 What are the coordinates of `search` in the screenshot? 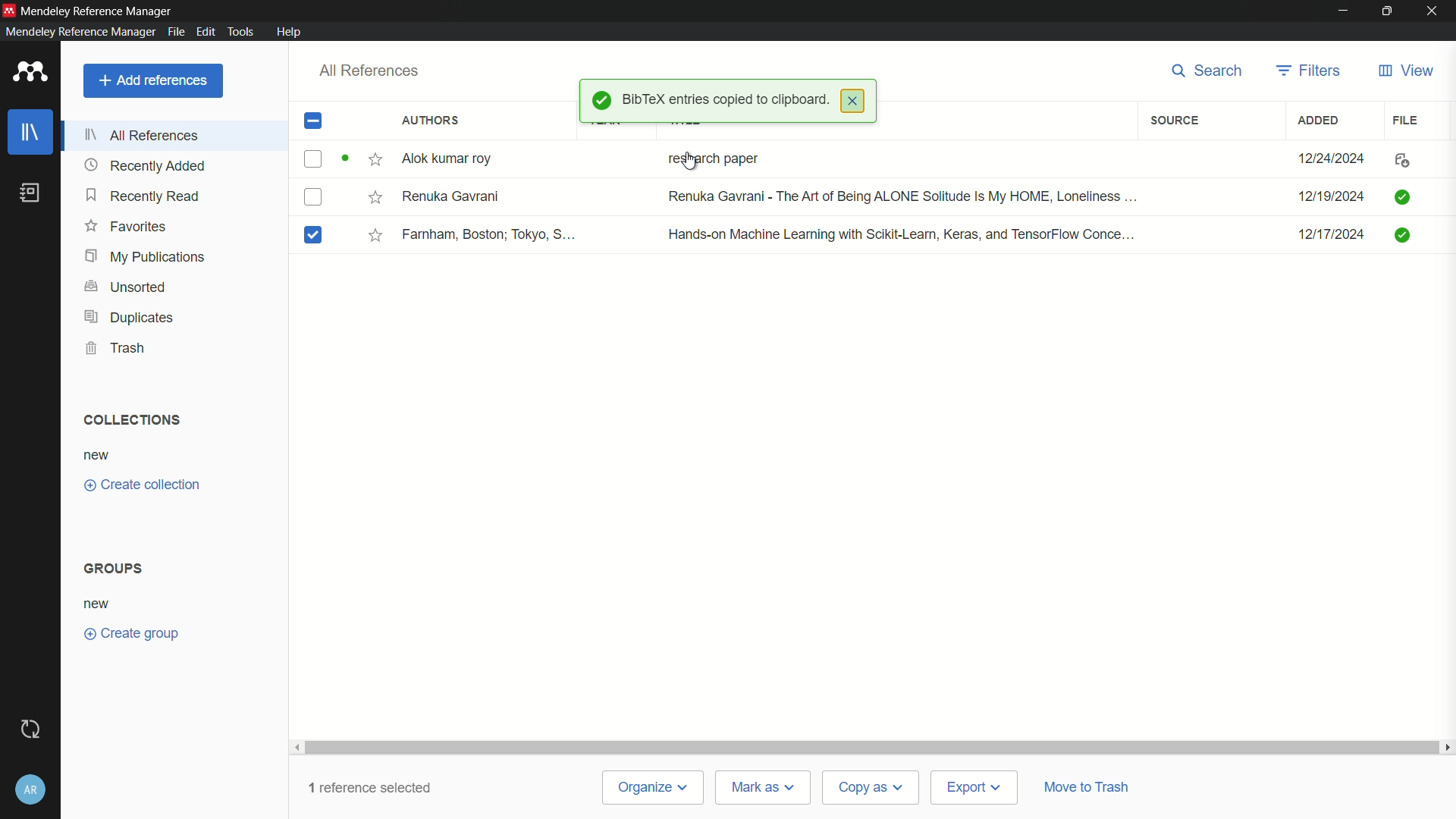 It's located at (1209, 71).